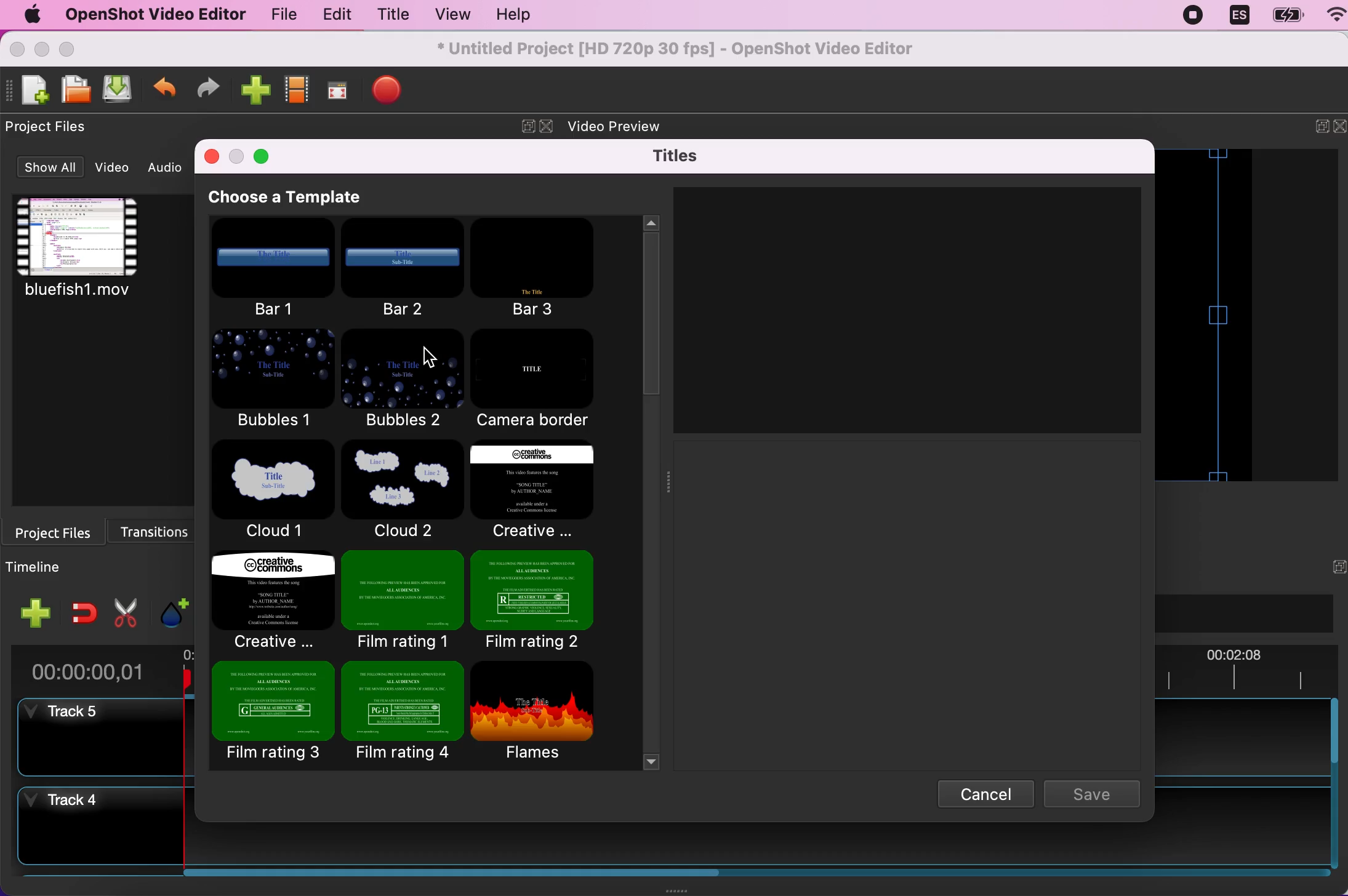 The image size is (1348, 896). I want to click on wifi, so click(1330, 17).